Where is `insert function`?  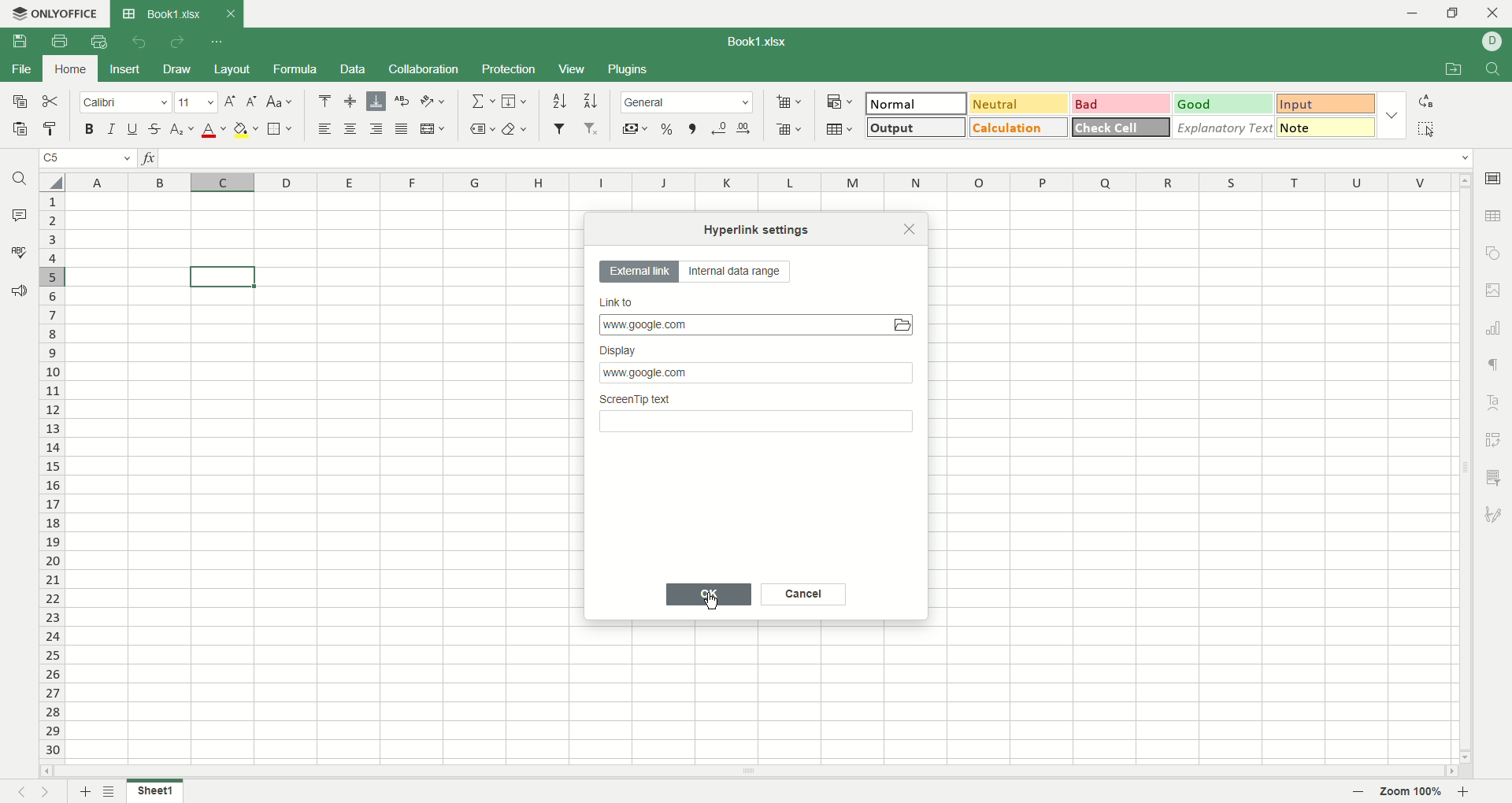 insert function is located at coordinates (152, 160).